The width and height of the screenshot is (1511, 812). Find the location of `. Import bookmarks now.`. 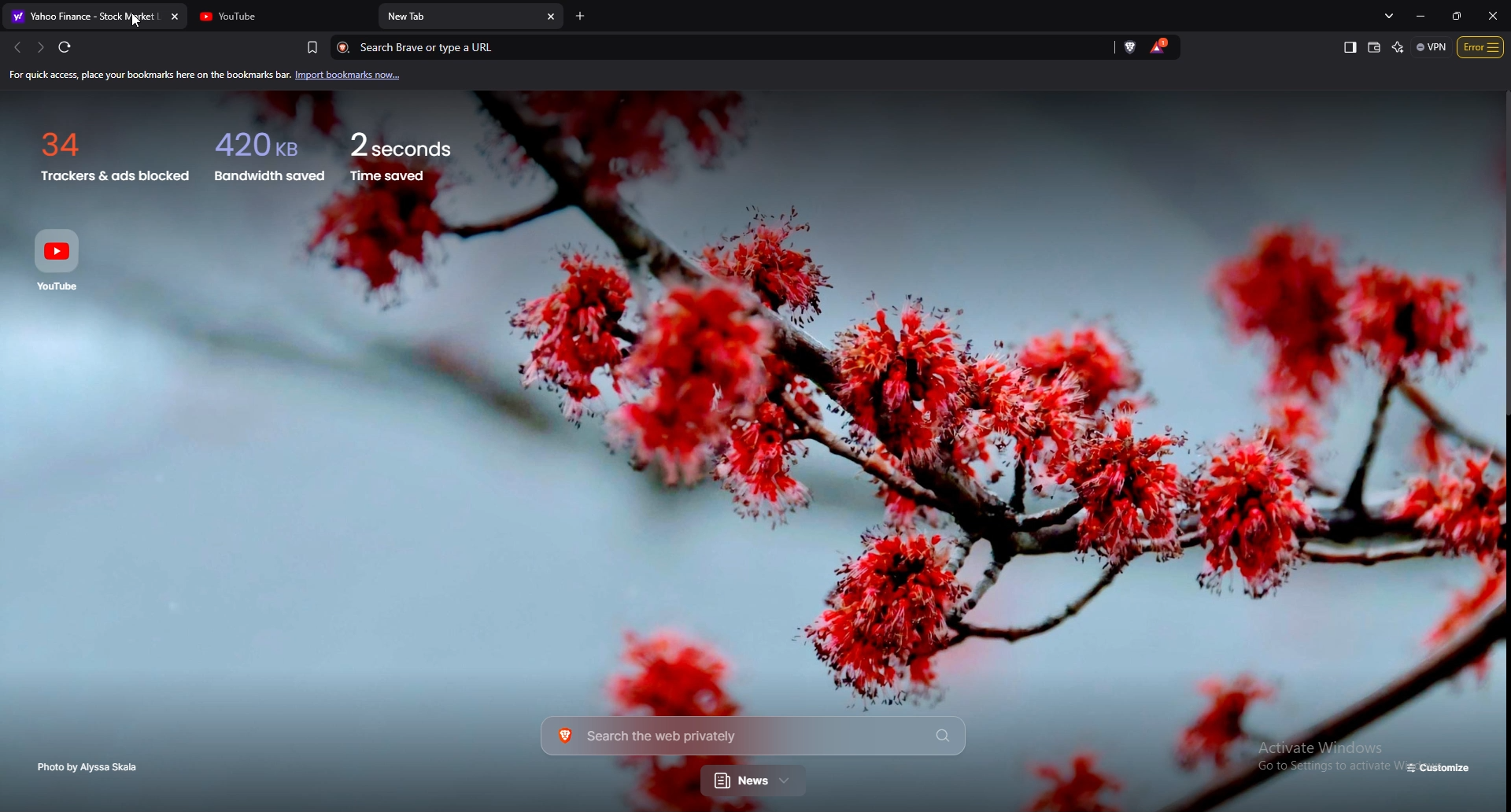

. Import bookmarks now. is located at coordinates (357, 76).